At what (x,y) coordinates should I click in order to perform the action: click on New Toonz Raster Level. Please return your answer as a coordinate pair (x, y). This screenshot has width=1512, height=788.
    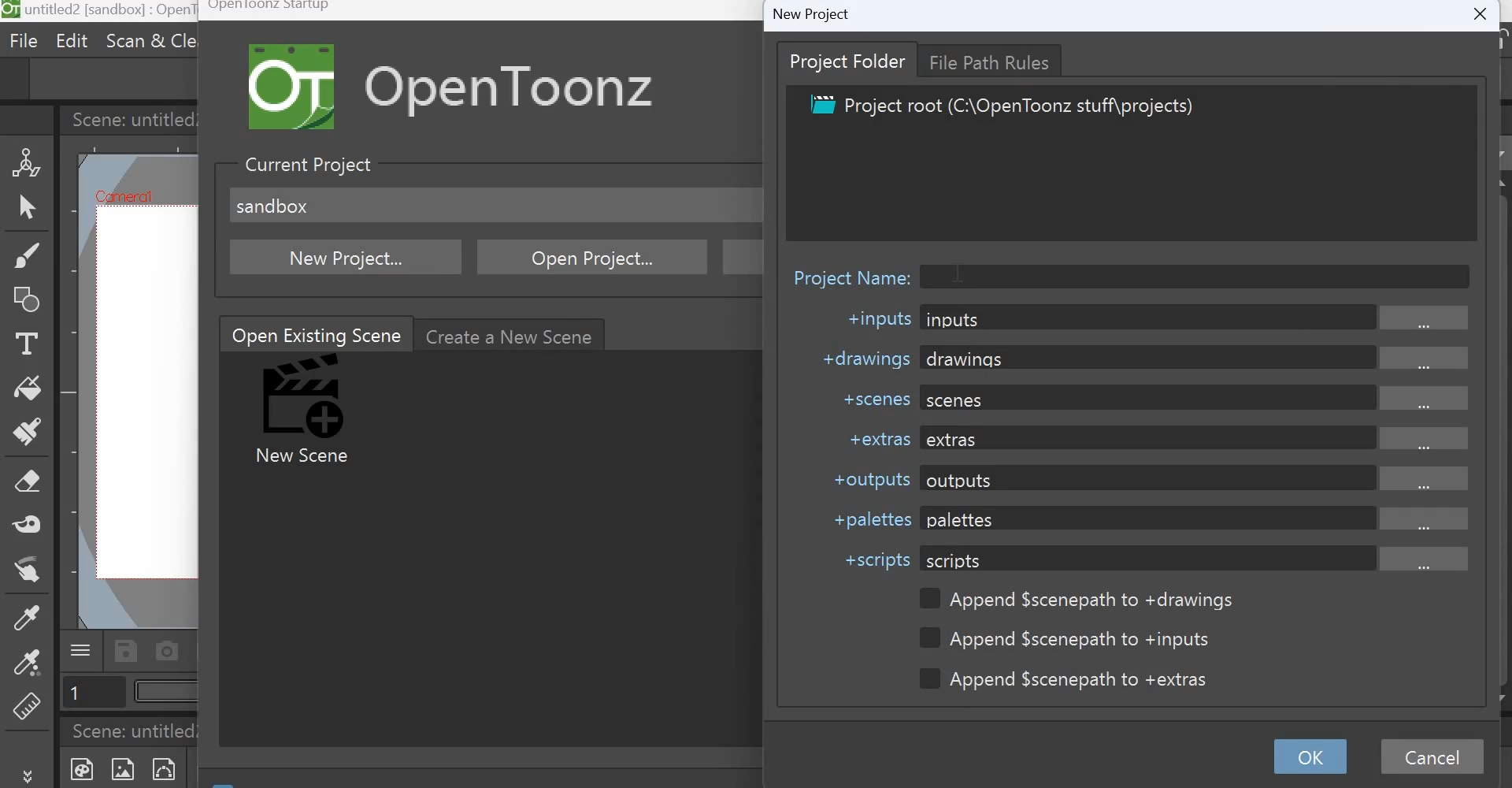
    Looking at the image, I should click on (80, 768).